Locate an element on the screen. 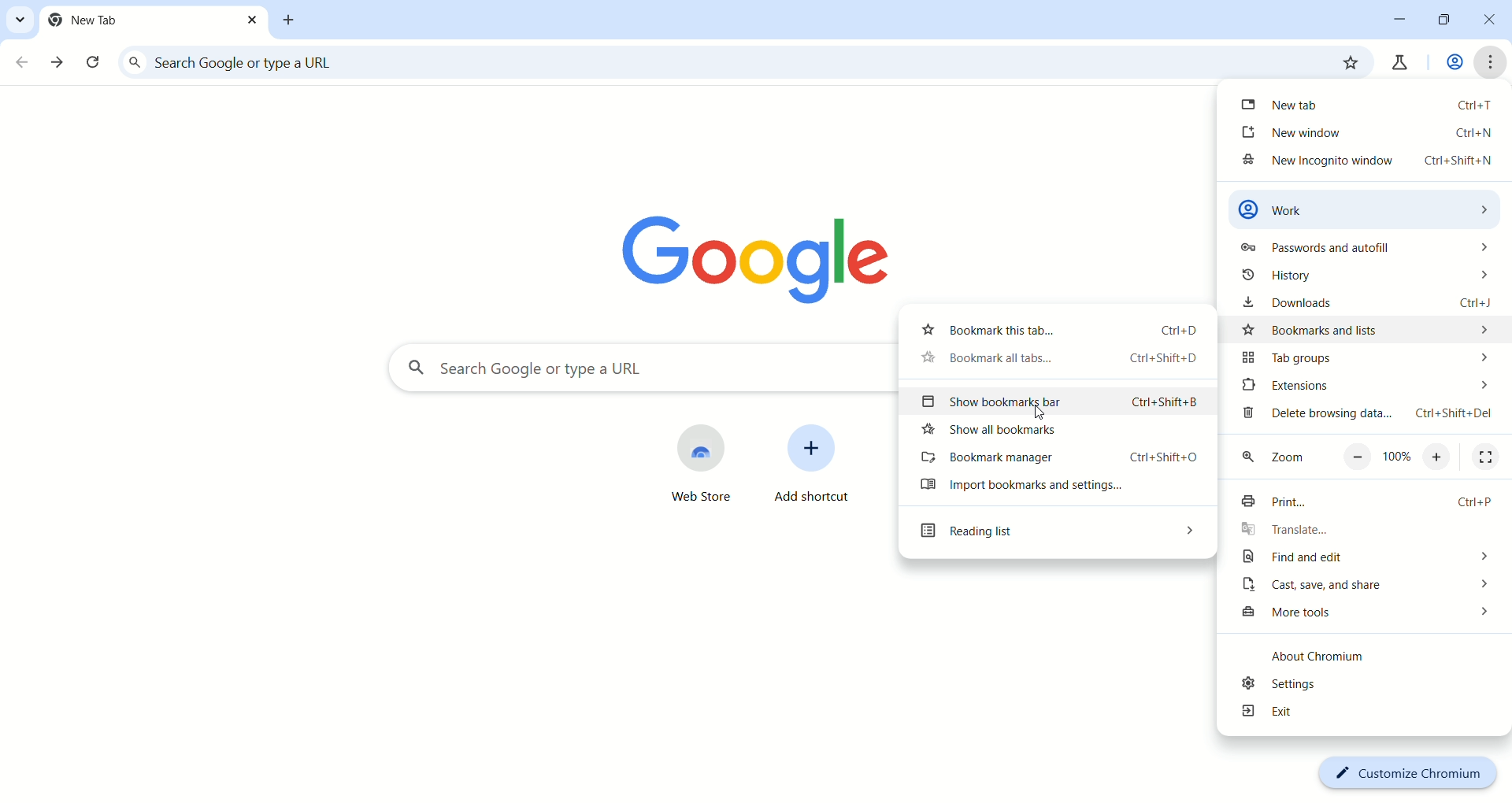 This screenshot has height=803, width=1512. translate is located at coordinates (1368, 531).